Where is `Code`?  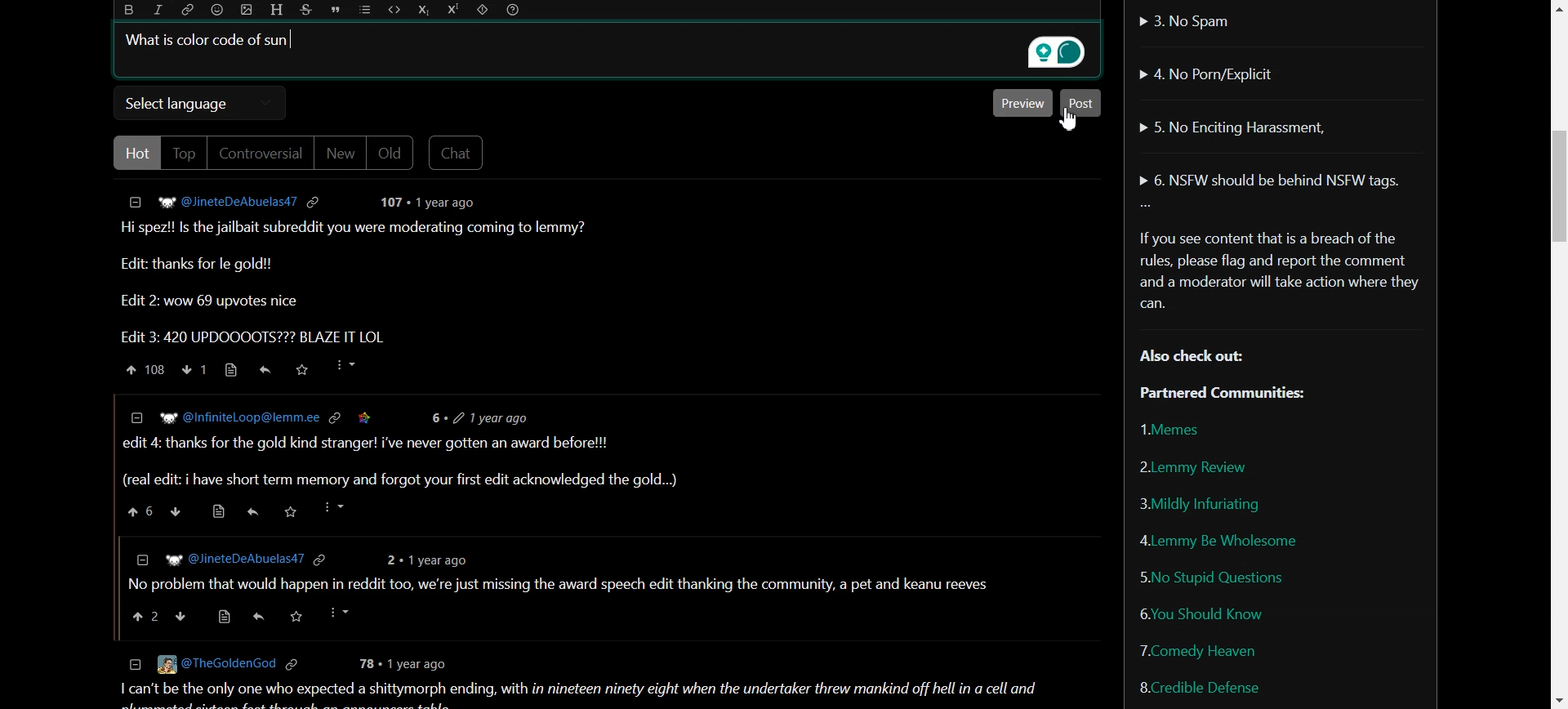
Code is located at coordinates (395, 10).